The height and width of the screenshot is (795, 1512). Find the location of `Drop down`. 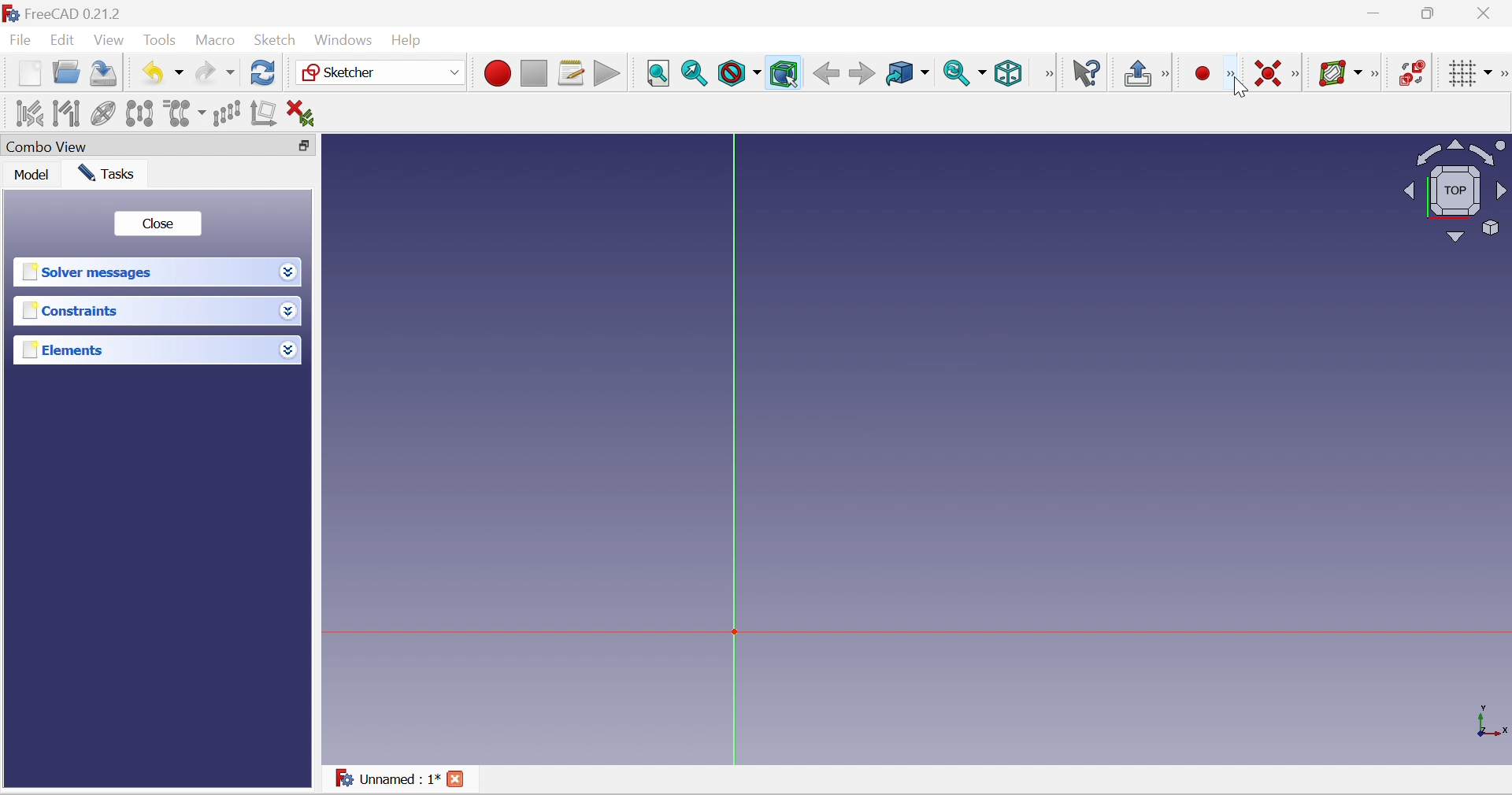

Drop down is located at coordinates (289, 349).